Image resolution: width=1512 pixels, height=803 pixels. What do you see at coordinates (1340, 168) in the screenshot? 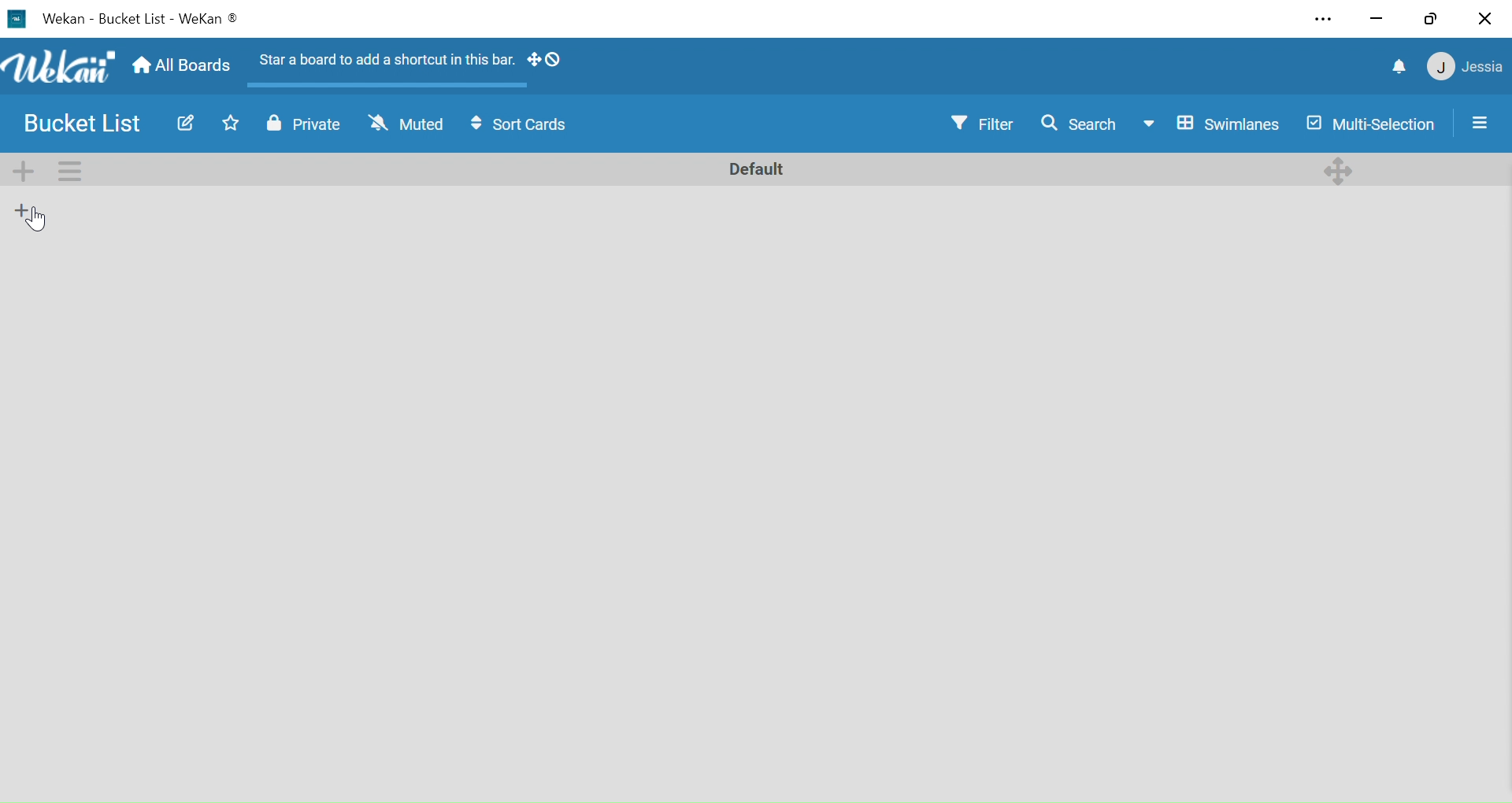
I see `Swimlane handle` at bounding box center [1340, 168].